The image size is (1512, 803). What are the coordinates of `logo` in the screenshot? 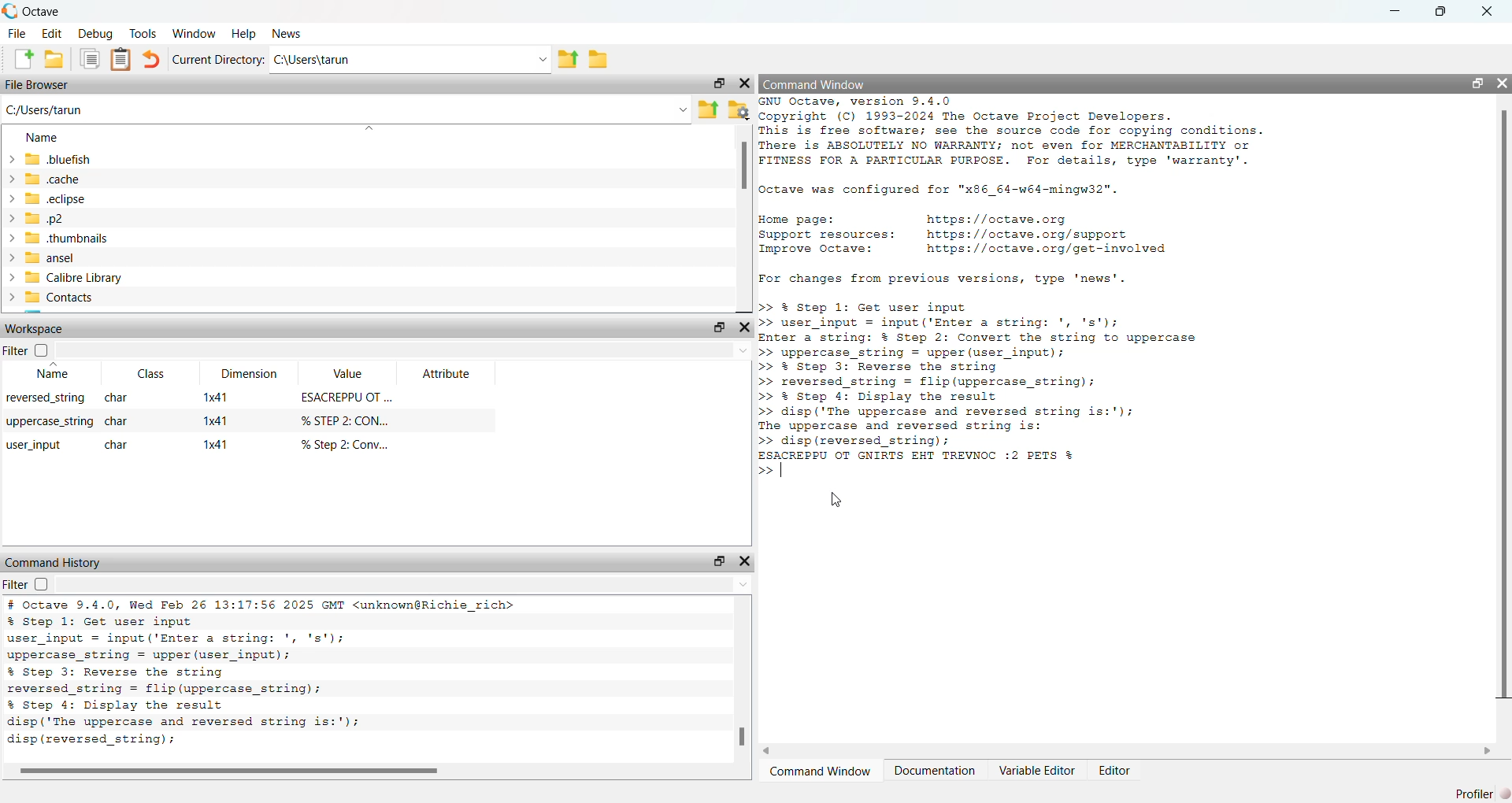 It's located at (10, 9).